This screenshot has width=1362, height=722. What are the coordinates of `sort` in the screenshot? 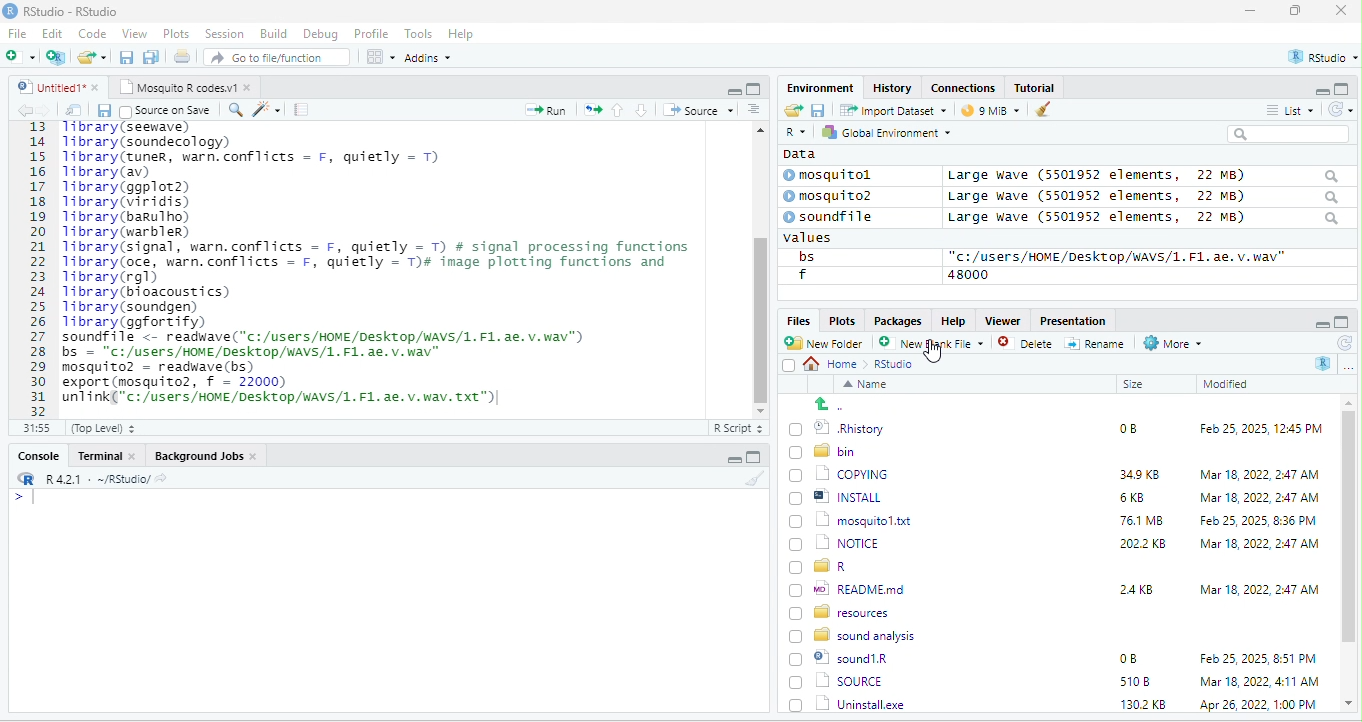 It's located at (753, 108).